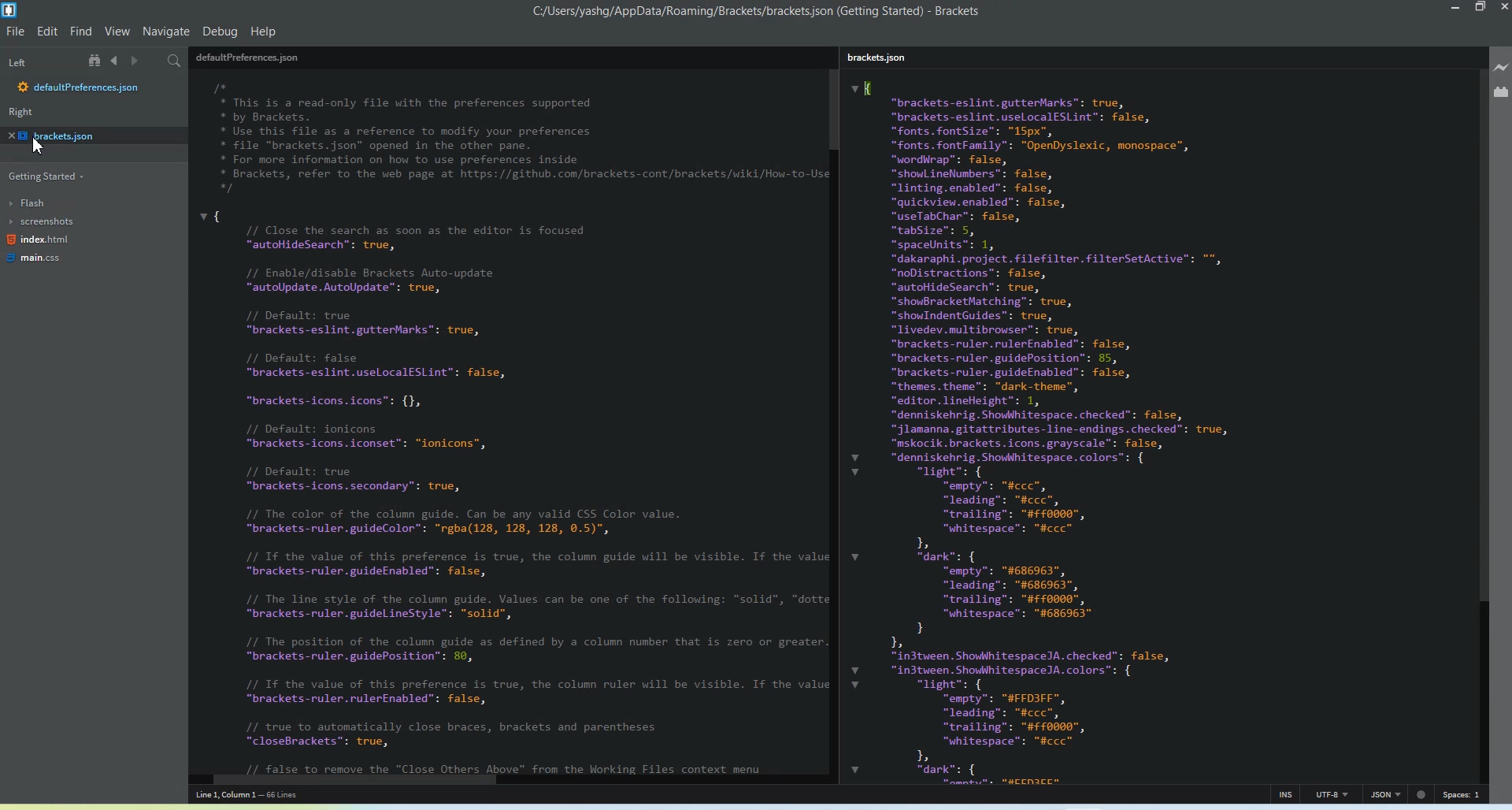 This screenshot has height=810, width=1512. Describe the element at coordinates (505, 780) in the screenshot. I see `Horizontal Scroll bar` at that location.